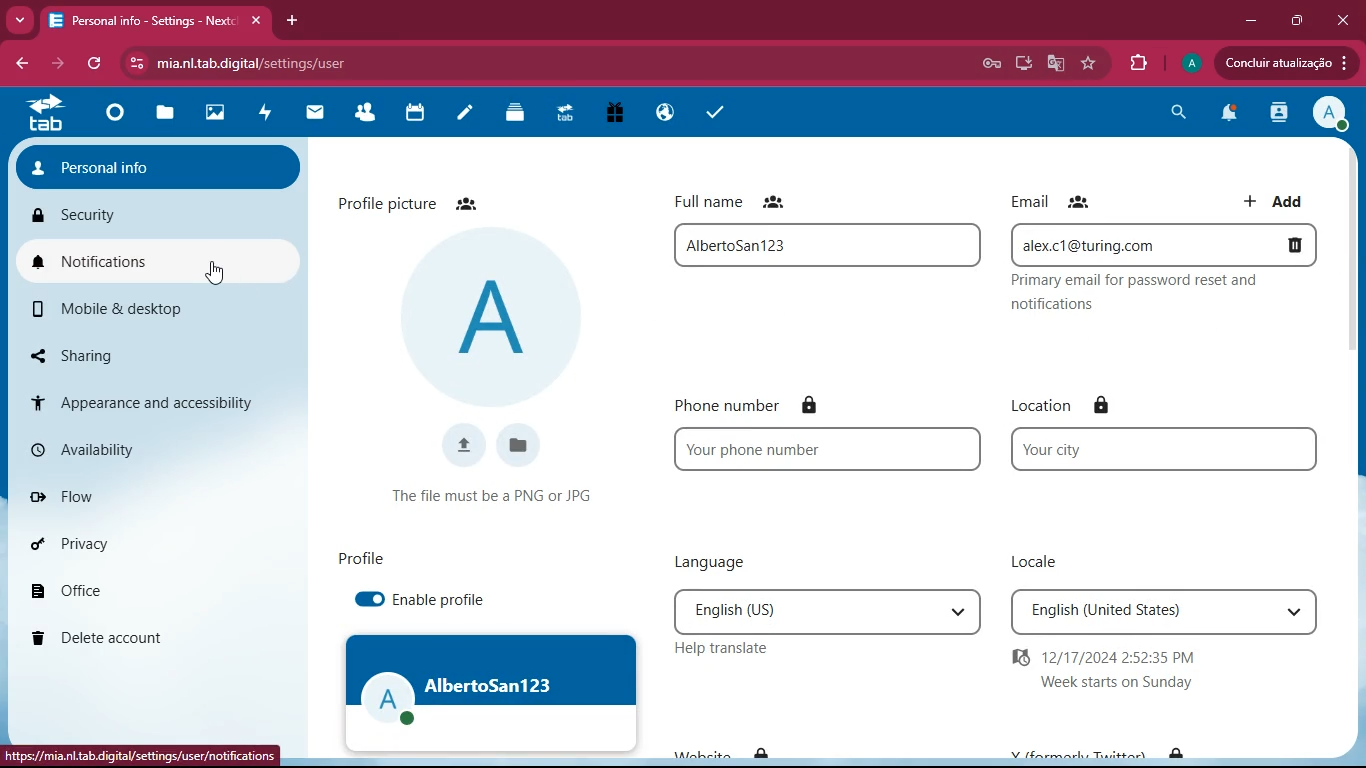  Describe the element at coordinates (125, 308) in the screenshot. I see `mobile` at that location.